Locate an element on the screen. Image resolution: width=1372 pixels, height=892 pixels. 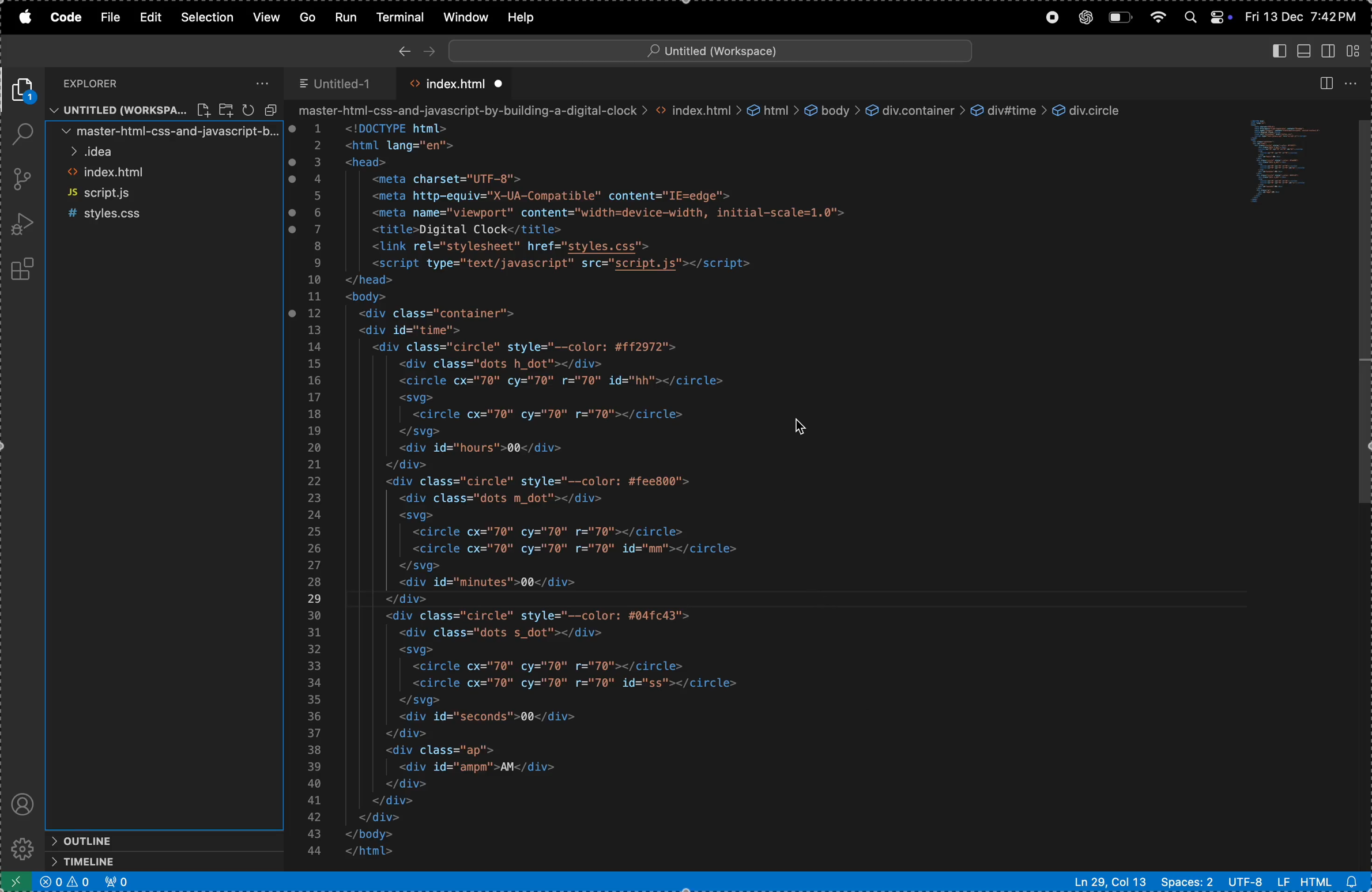
spaces 2 is located at coordinates (1185, 881).